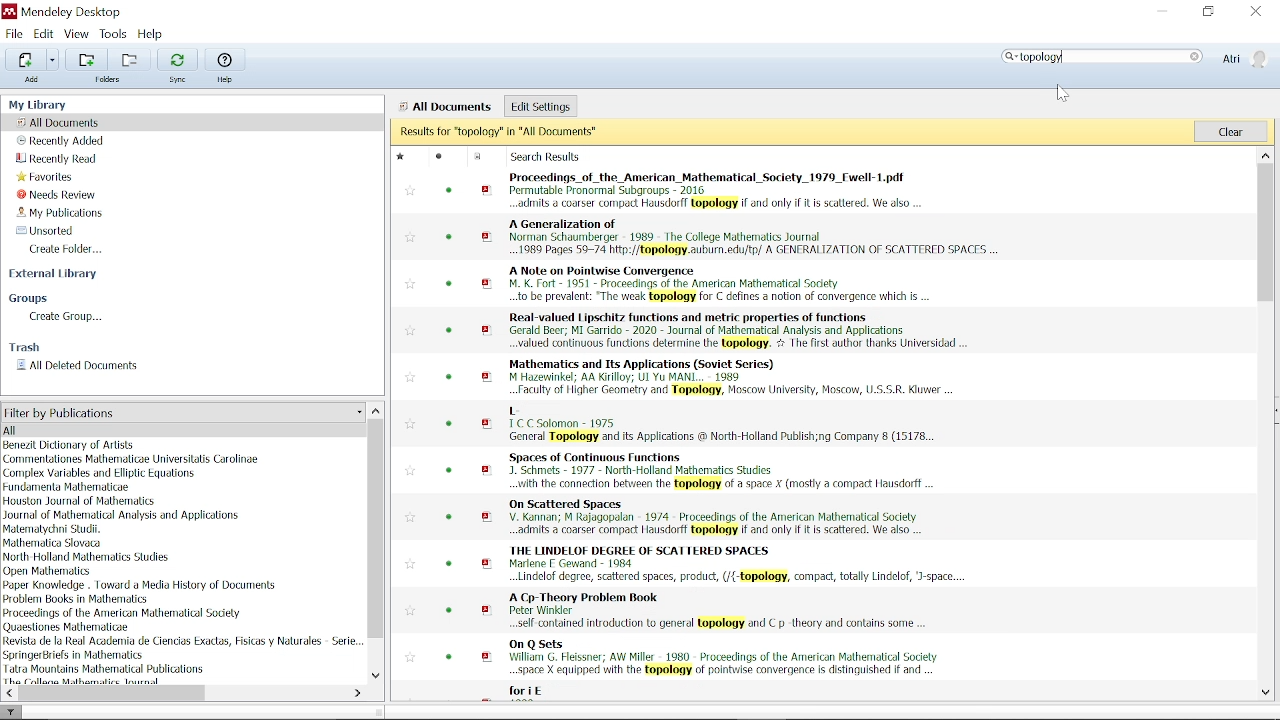 This screenshot has height=720, width=1280. I want to click on author, so click(78, 501).